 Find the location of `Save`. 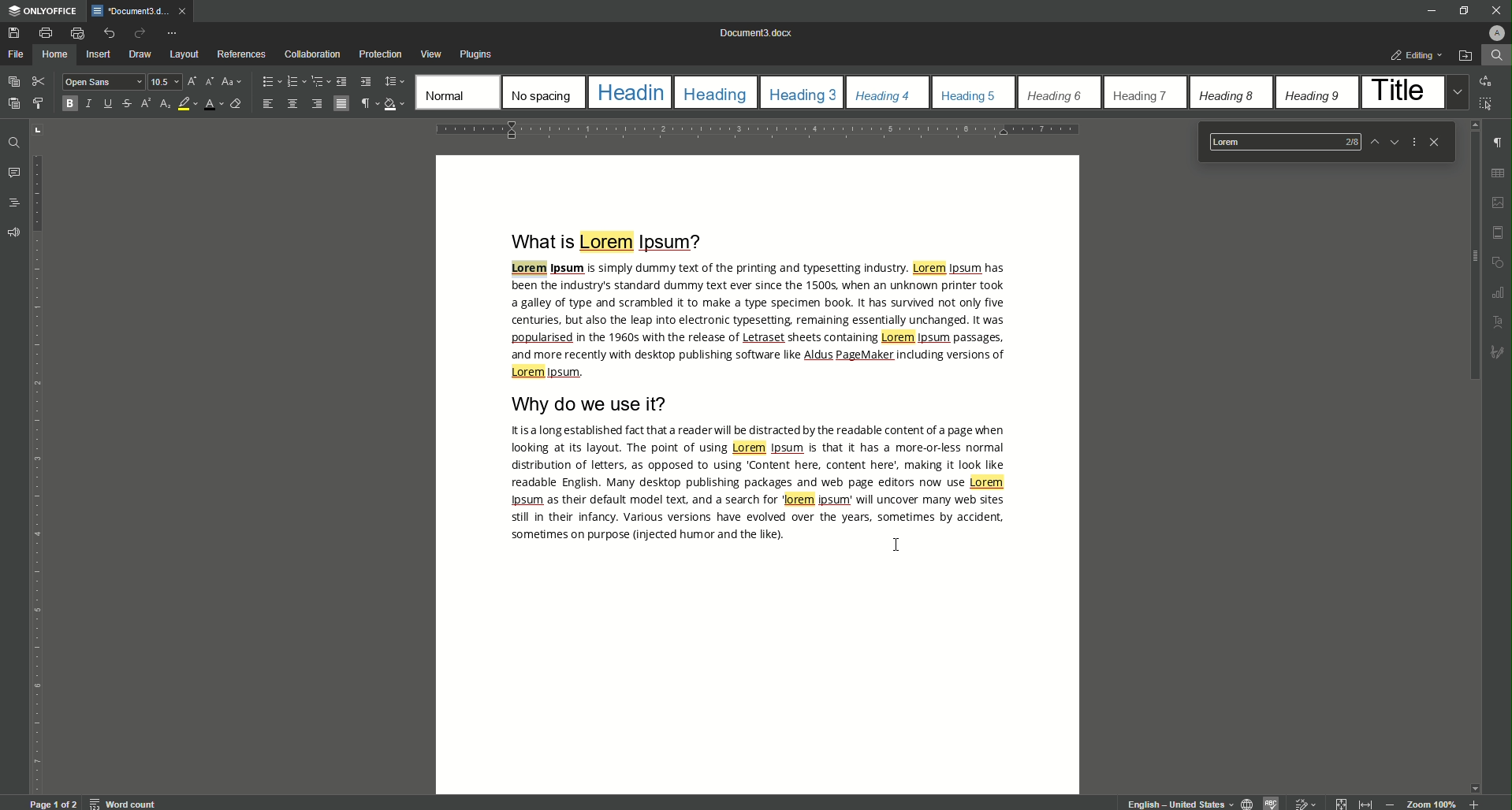

Save is located at coordinates (15, 32).